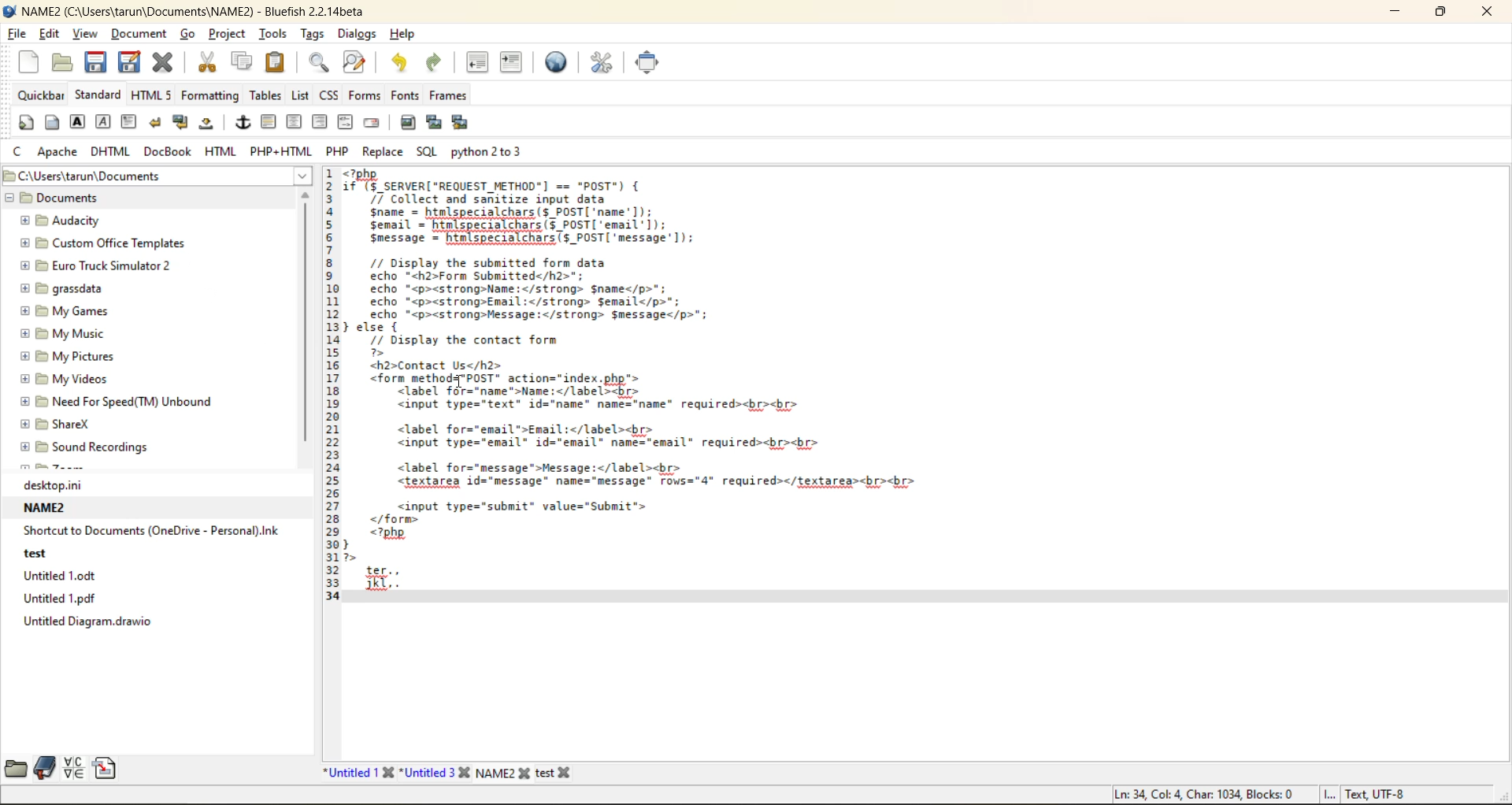 This screenshot has width=1512, height=805. What do you see at coordinates (74, 381) in the screenshot?
I see `my videos` at bounding box center [74, 381].